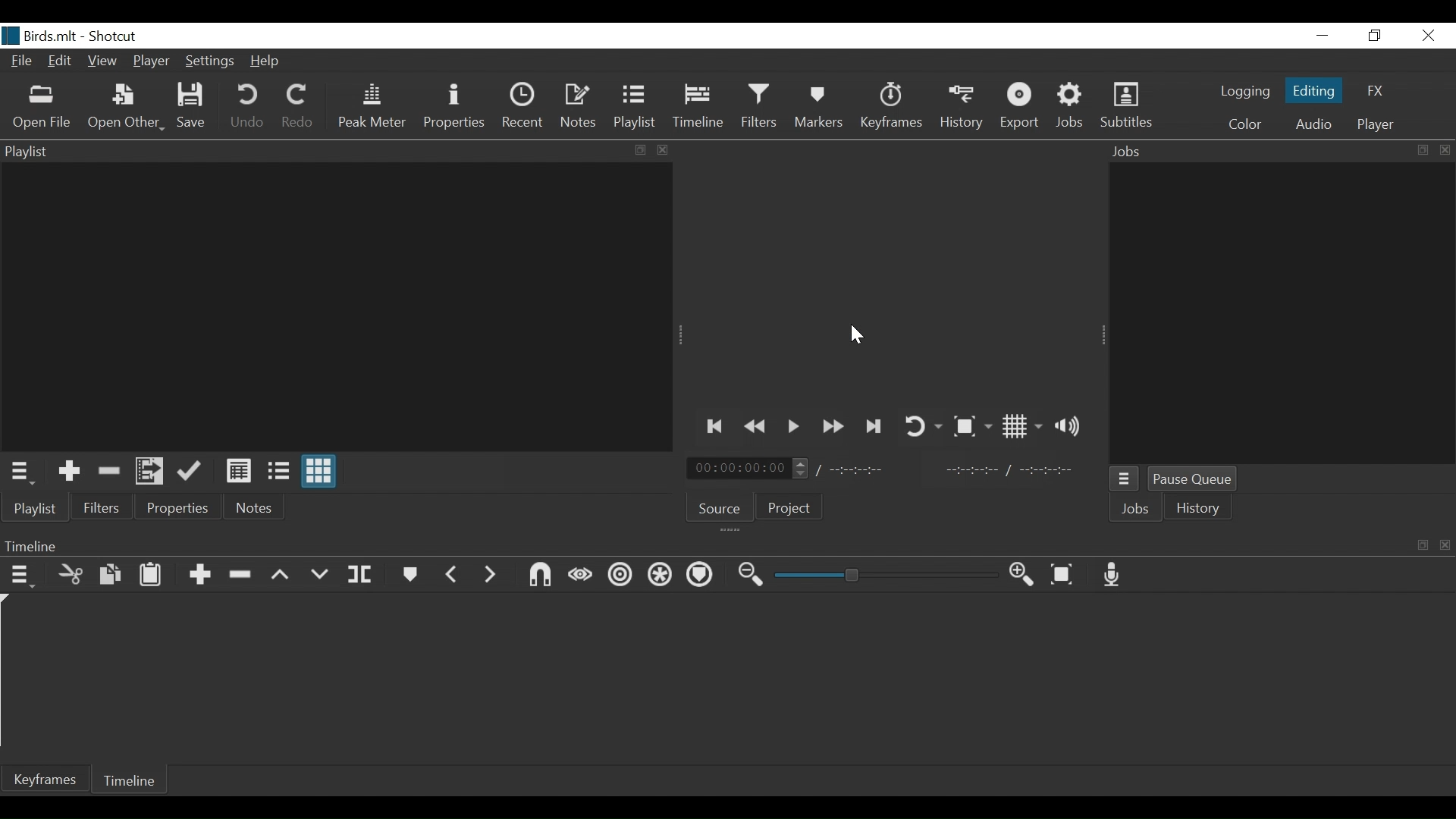 The image size is (1456, 819). I want to click on View as icons, so click(321, 473).